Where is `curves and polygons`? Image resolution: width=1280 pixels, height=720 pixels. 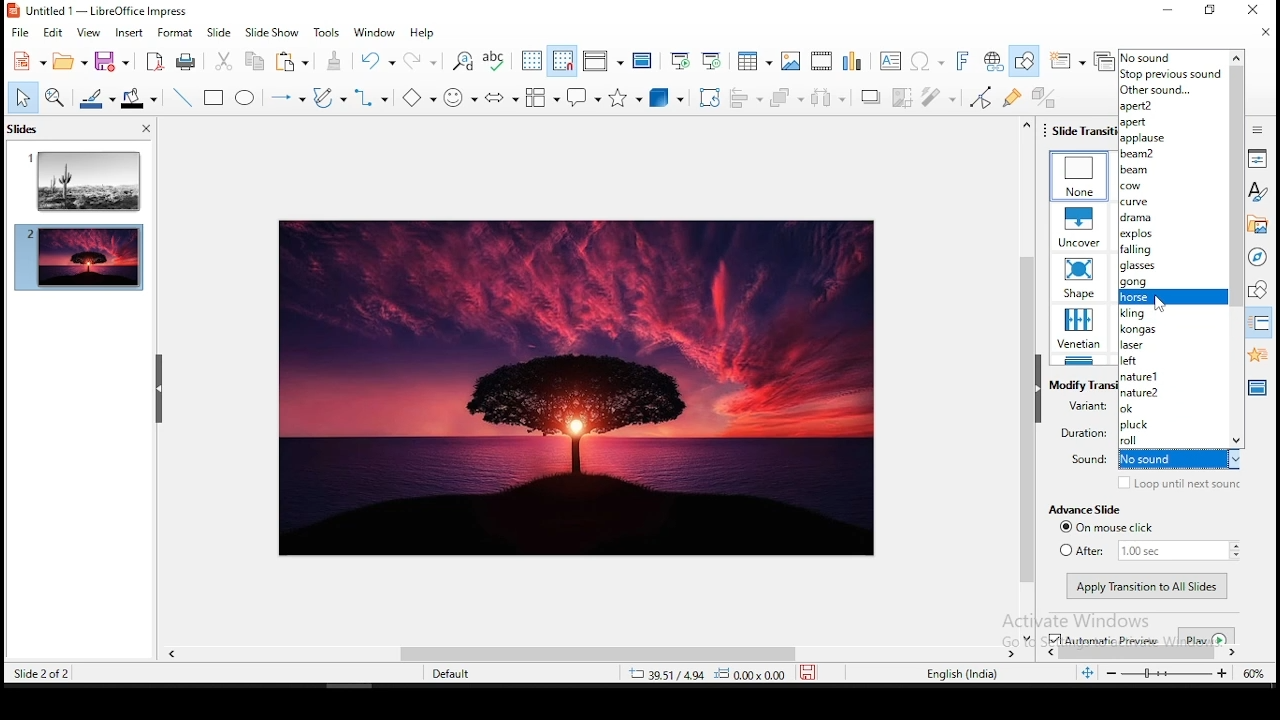
curves and polygons is located at coordinates (330, 98).